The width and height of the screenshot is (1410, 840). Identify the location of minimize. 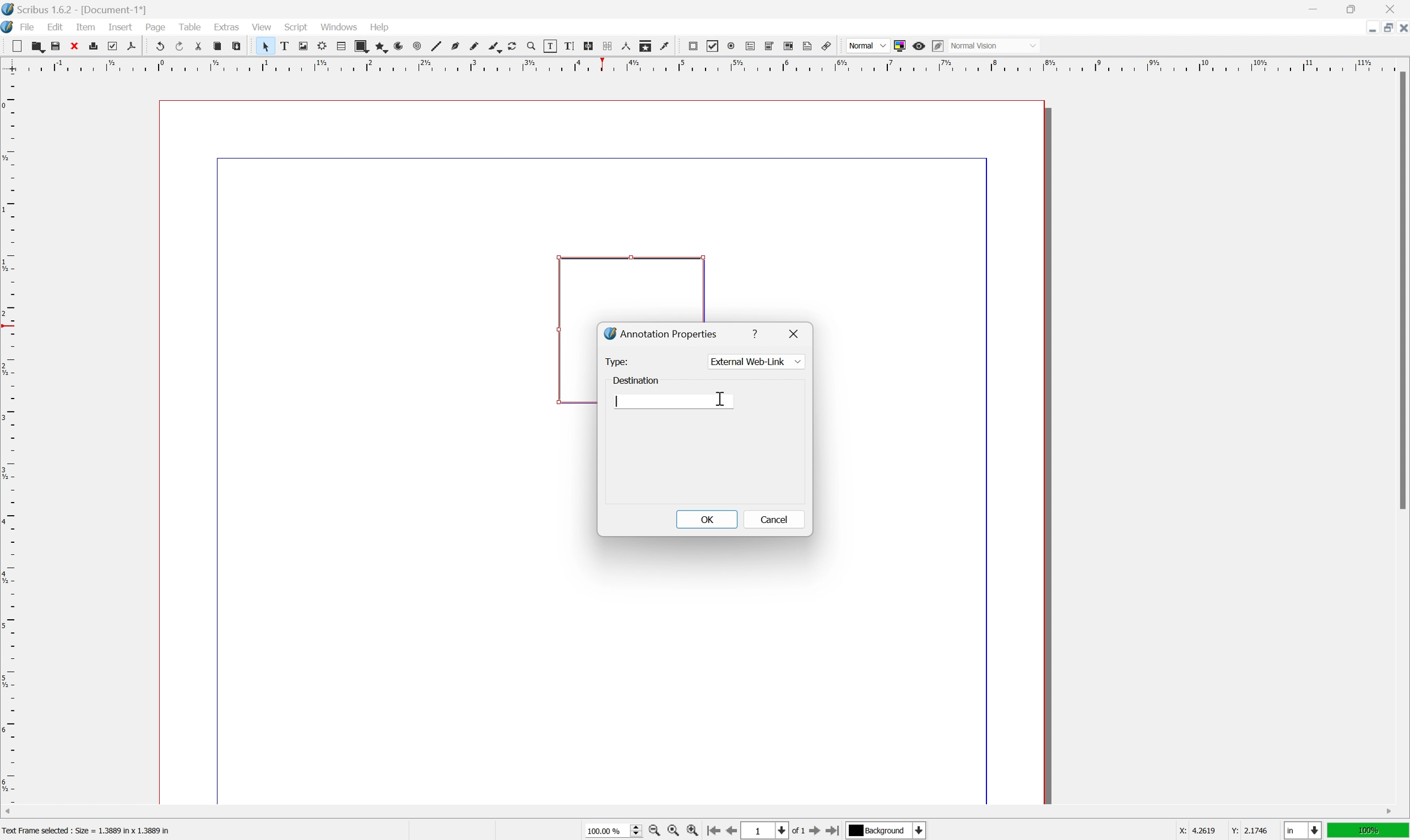
(1369, 29).